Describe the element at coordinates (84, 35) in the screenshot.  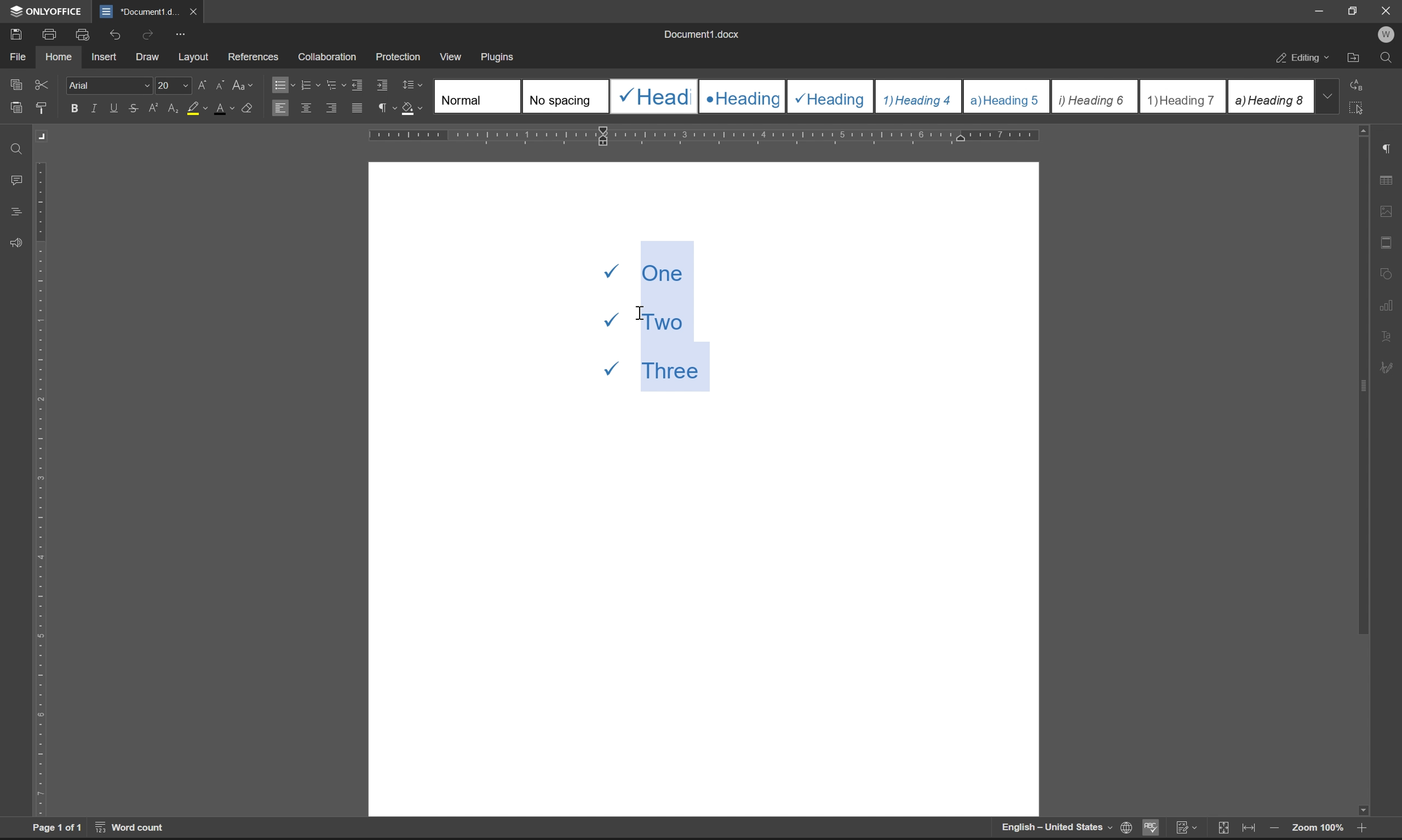
I see `print preview` at that location.